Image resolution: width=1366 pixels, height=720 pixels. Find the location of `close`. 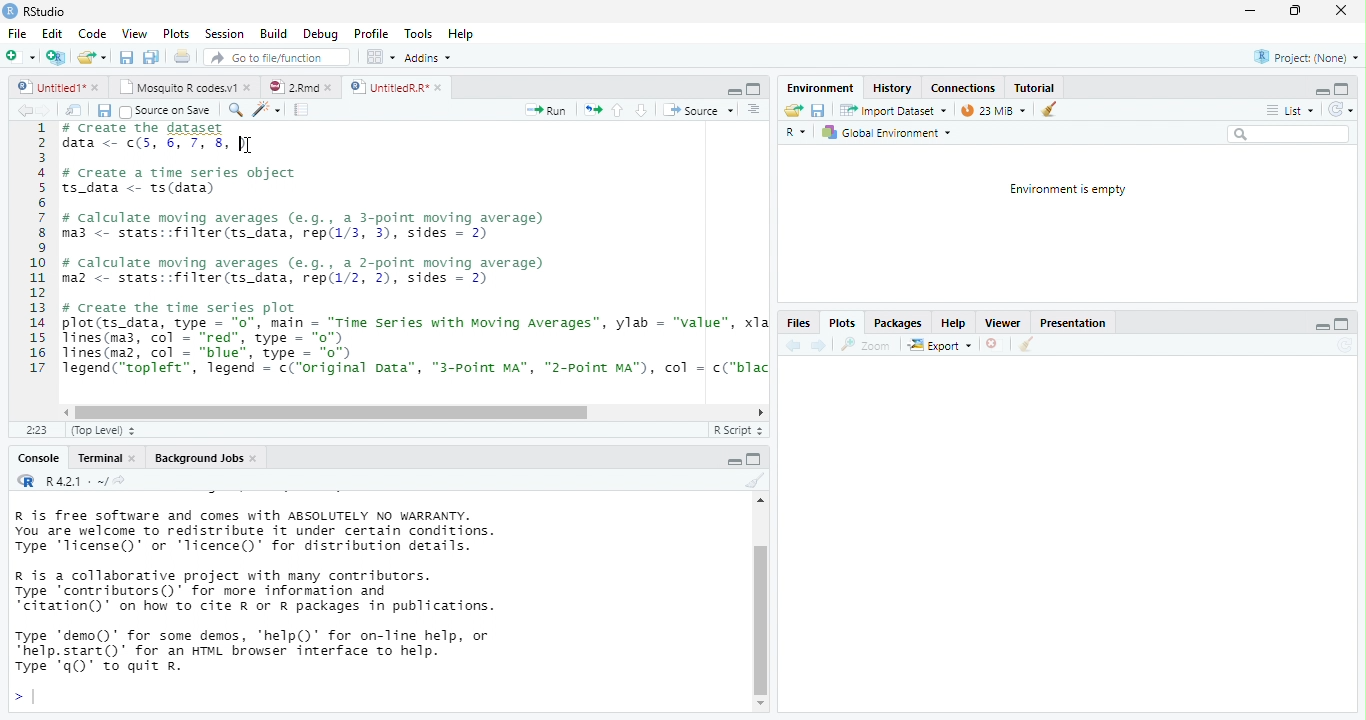

close is located at coordinates (441, 88).